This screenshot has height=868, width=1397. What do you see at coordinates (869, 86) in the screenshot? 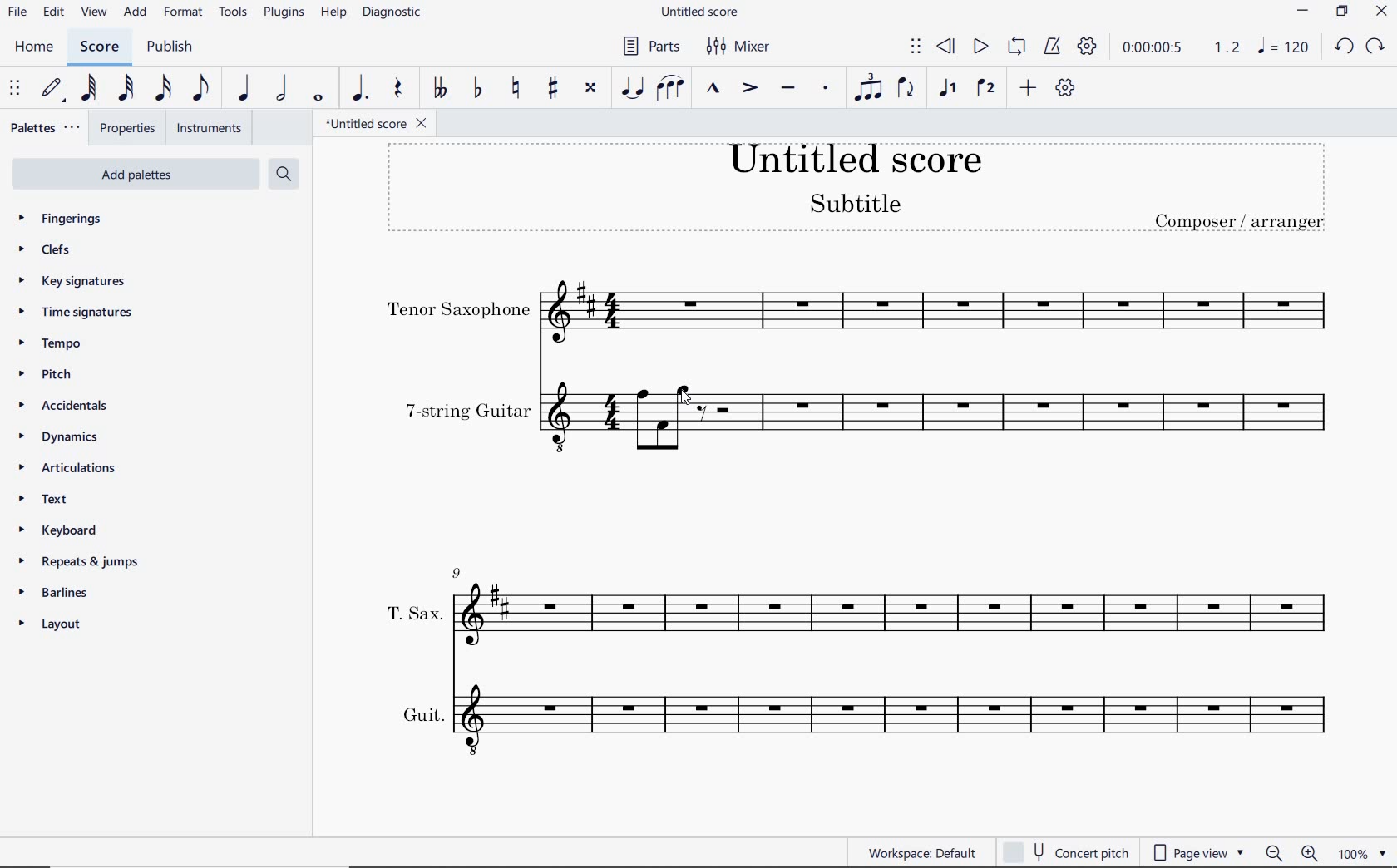
I see `TUPLET` at bounding box center [869, 86].